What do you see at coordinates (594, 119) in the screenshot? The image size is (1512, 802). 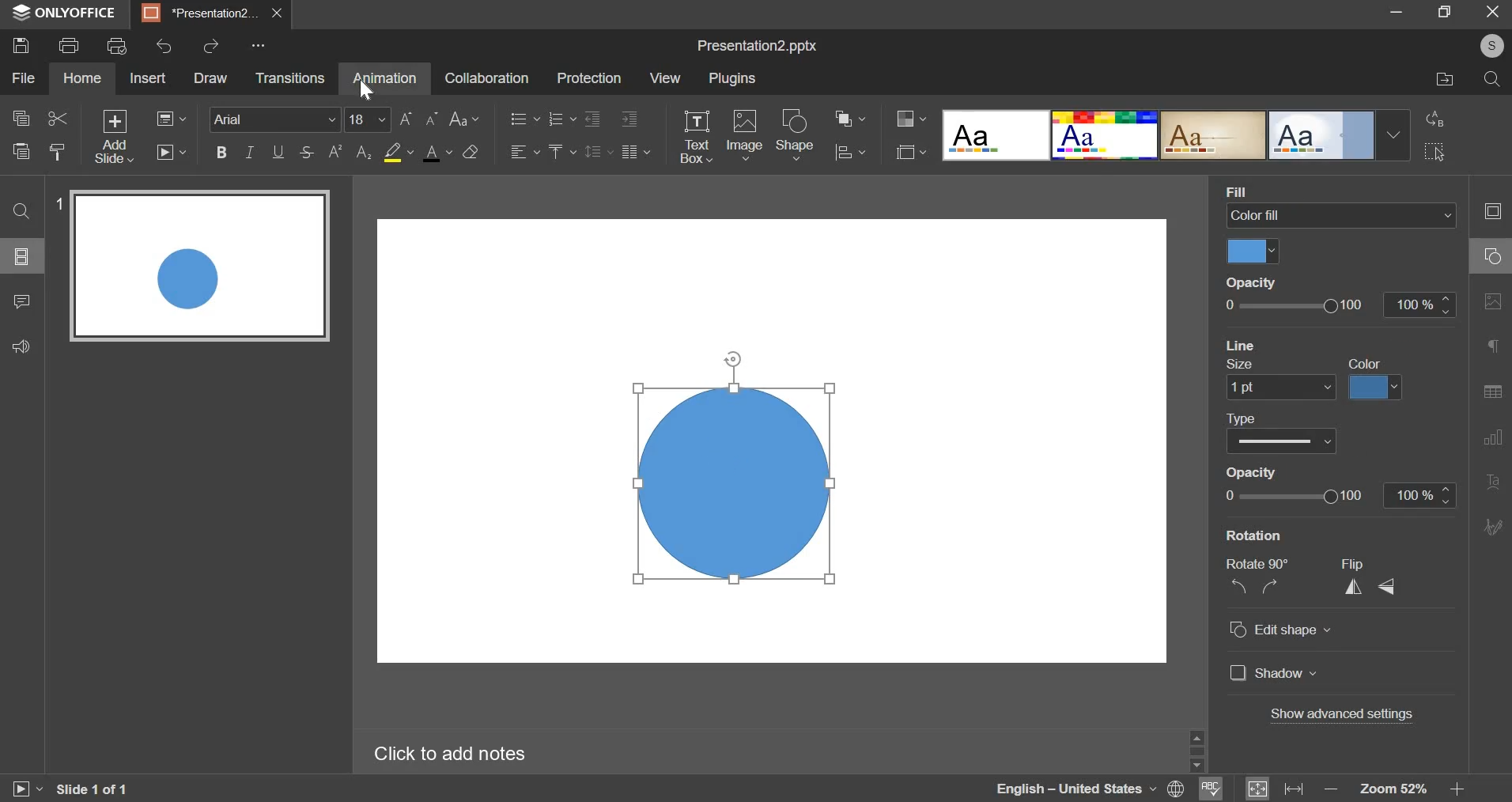 I see `decrease indent` at bounding box center [594, 119].